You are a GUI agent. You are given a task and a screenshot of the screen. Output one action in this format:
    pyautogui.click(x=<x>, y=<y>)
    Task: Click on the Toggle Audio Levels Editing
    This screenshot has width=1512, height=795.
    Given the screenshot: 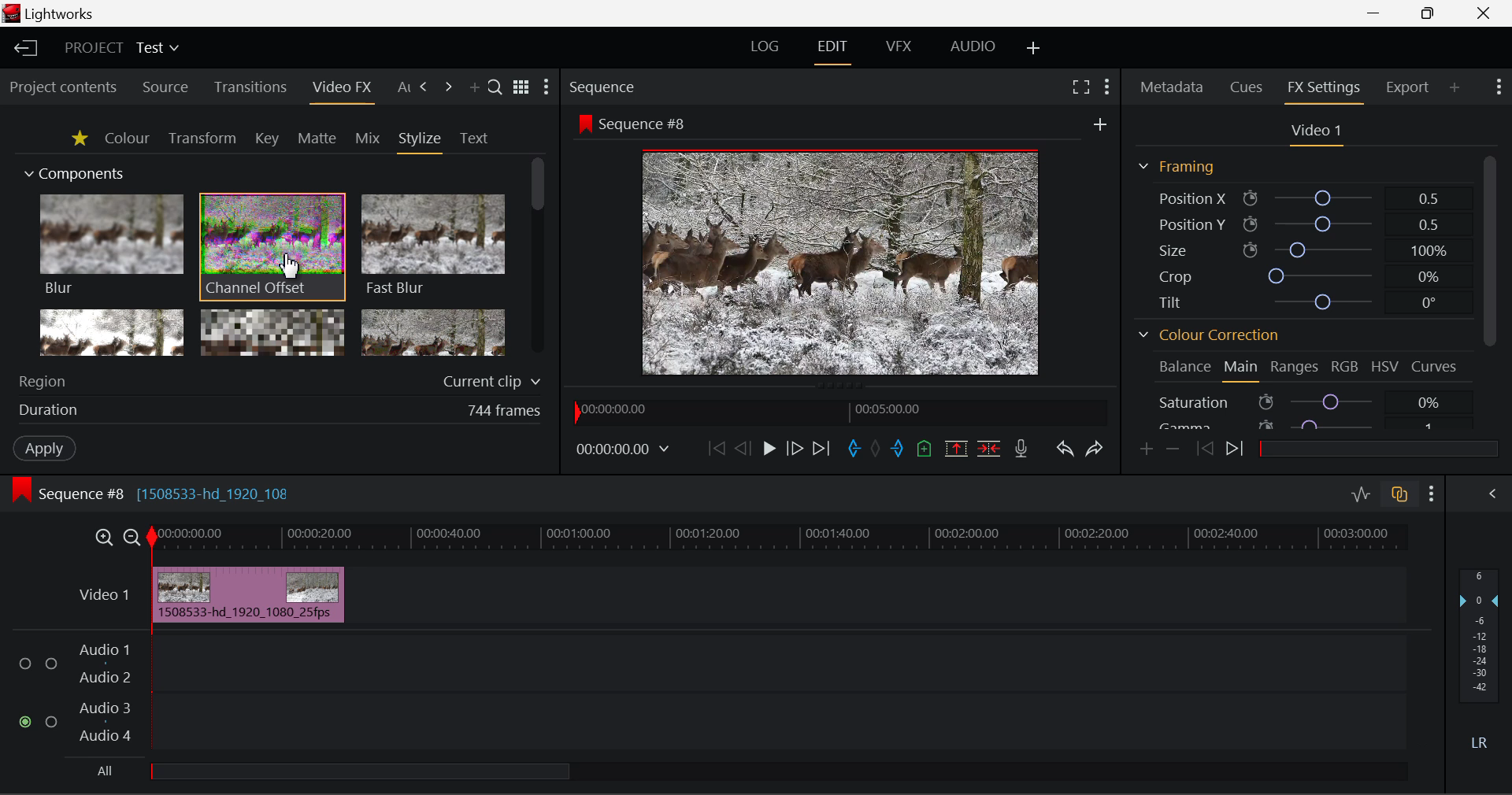 What is the action you would take?
    pyautogui.click(x=1362, y=495)
    